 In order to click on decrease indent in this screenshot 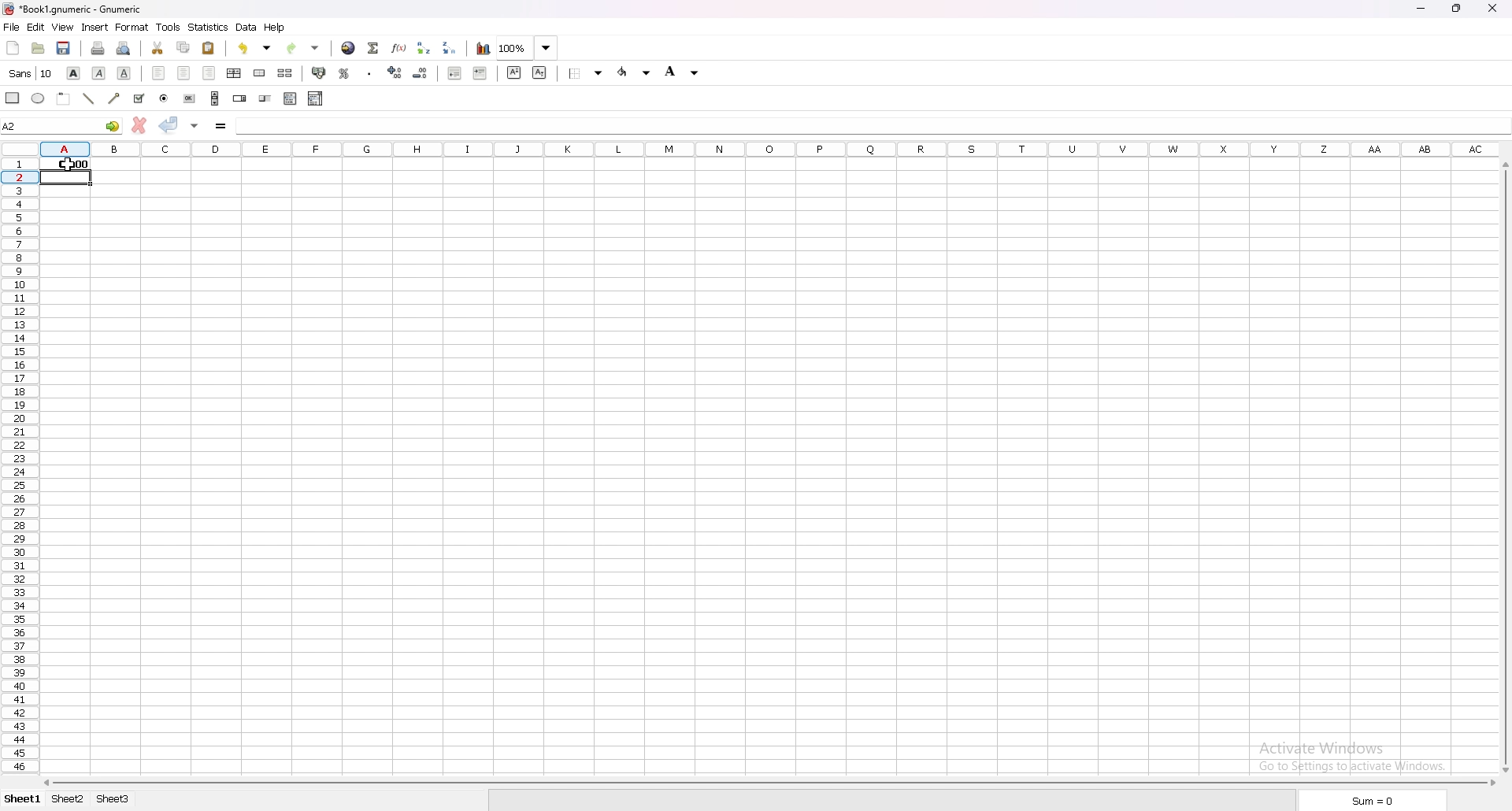, I will do `click(455, 72)`.